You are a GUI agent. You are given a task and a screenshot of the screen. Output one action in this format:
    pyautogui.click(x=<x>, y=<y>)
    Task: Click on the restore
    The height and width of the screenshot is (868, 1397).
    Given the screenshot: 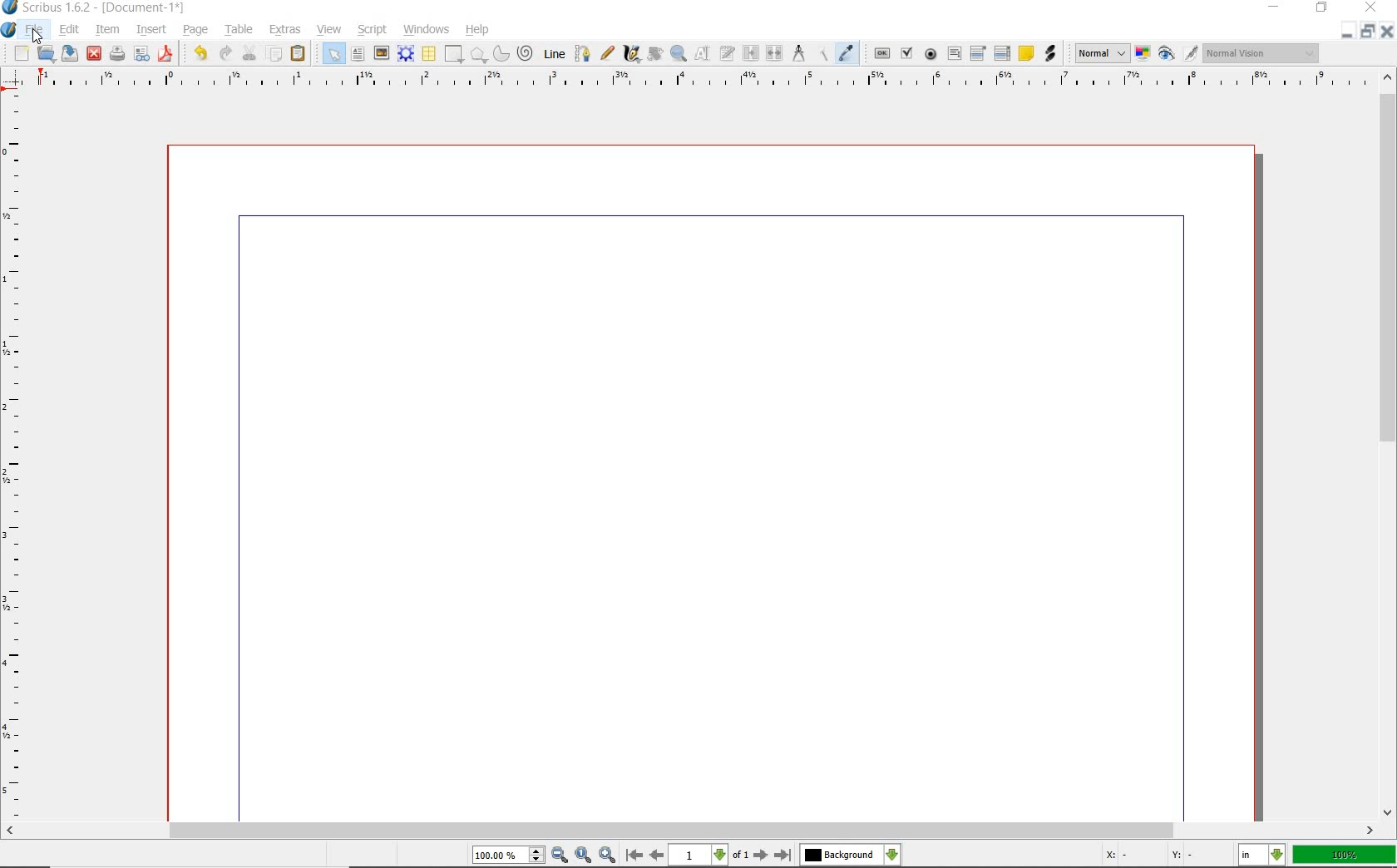 What is the action you would take?
    pyautogui.click(x=1323, y=7)
    